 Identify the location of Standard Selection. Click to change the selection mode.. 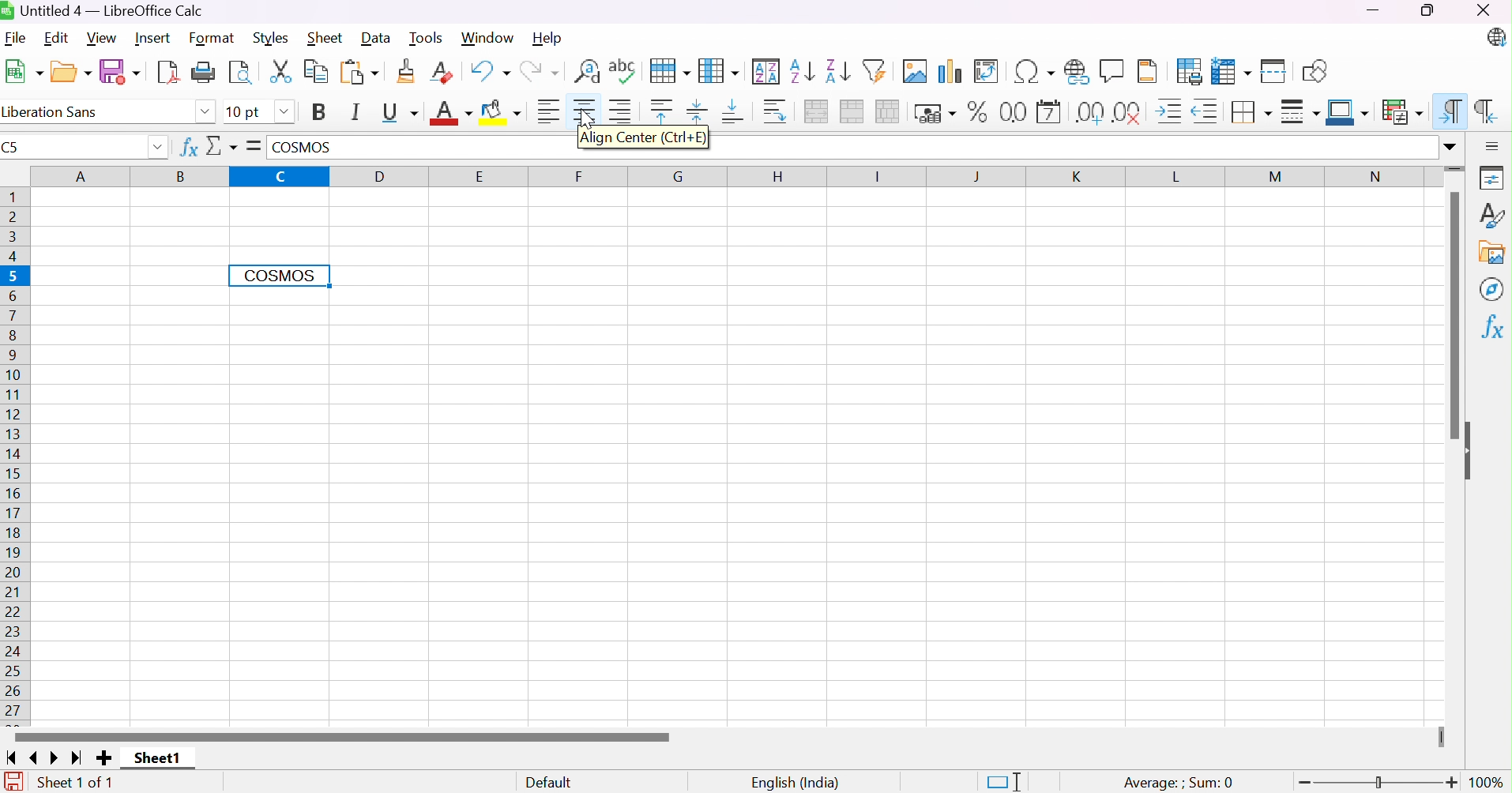
(1004, 780).